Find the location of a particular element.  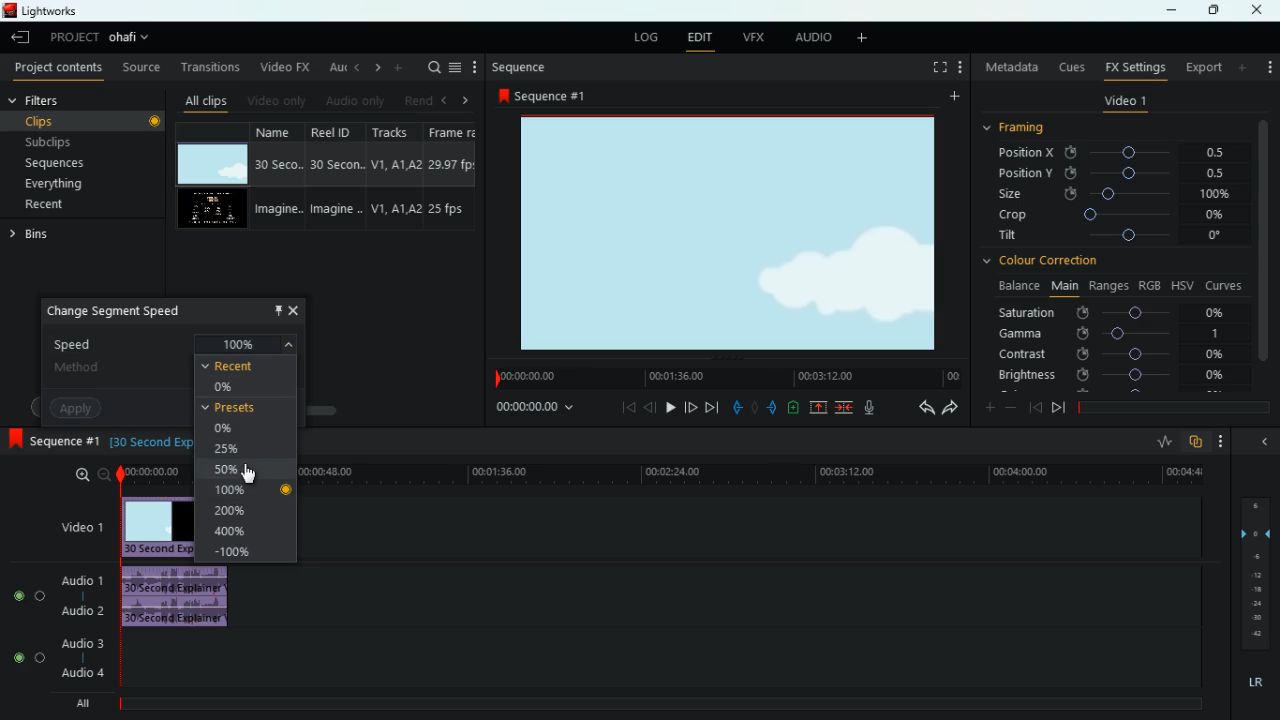

join is located at coordinates (846, 407).